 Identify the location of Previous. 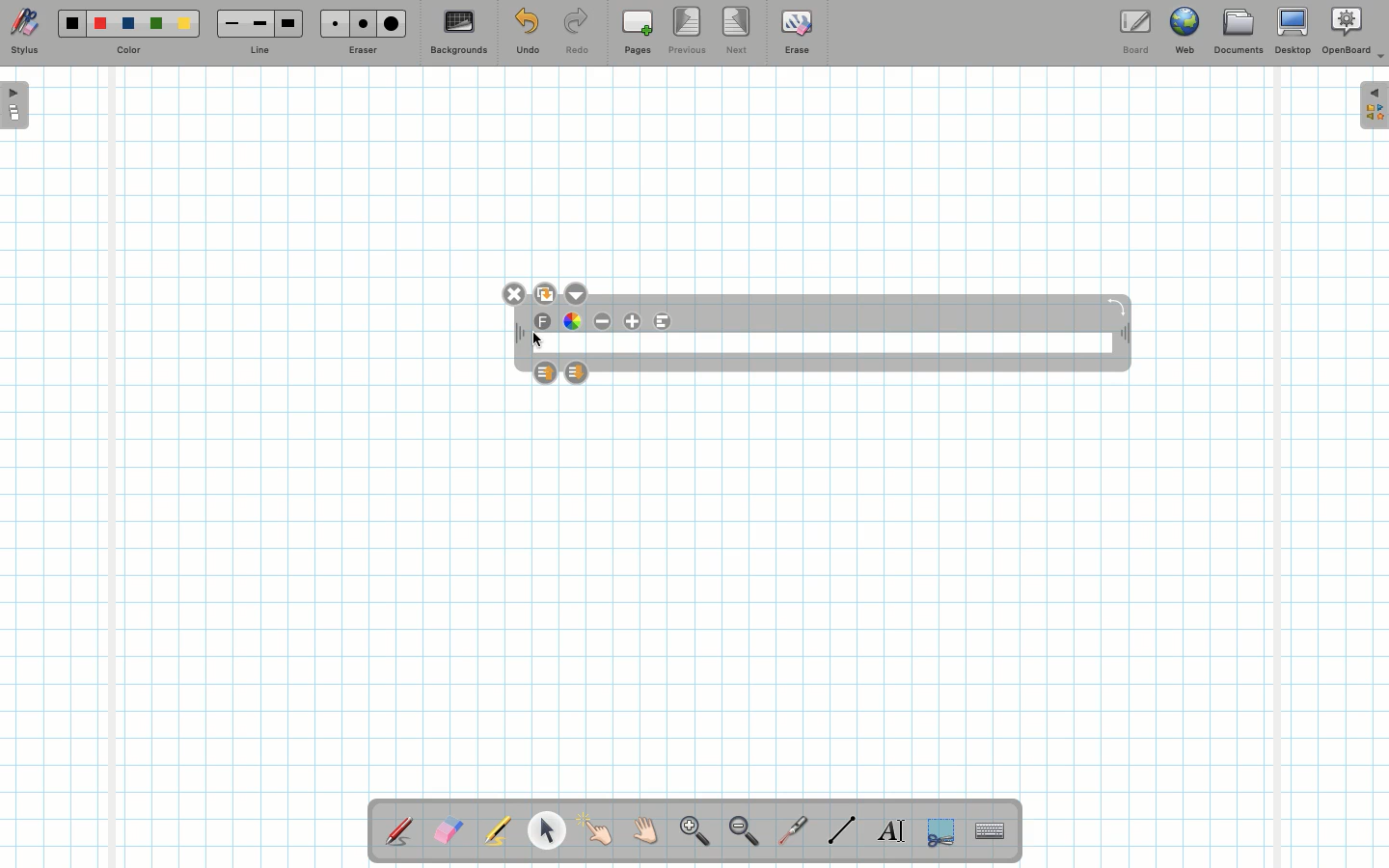
(689, 32).